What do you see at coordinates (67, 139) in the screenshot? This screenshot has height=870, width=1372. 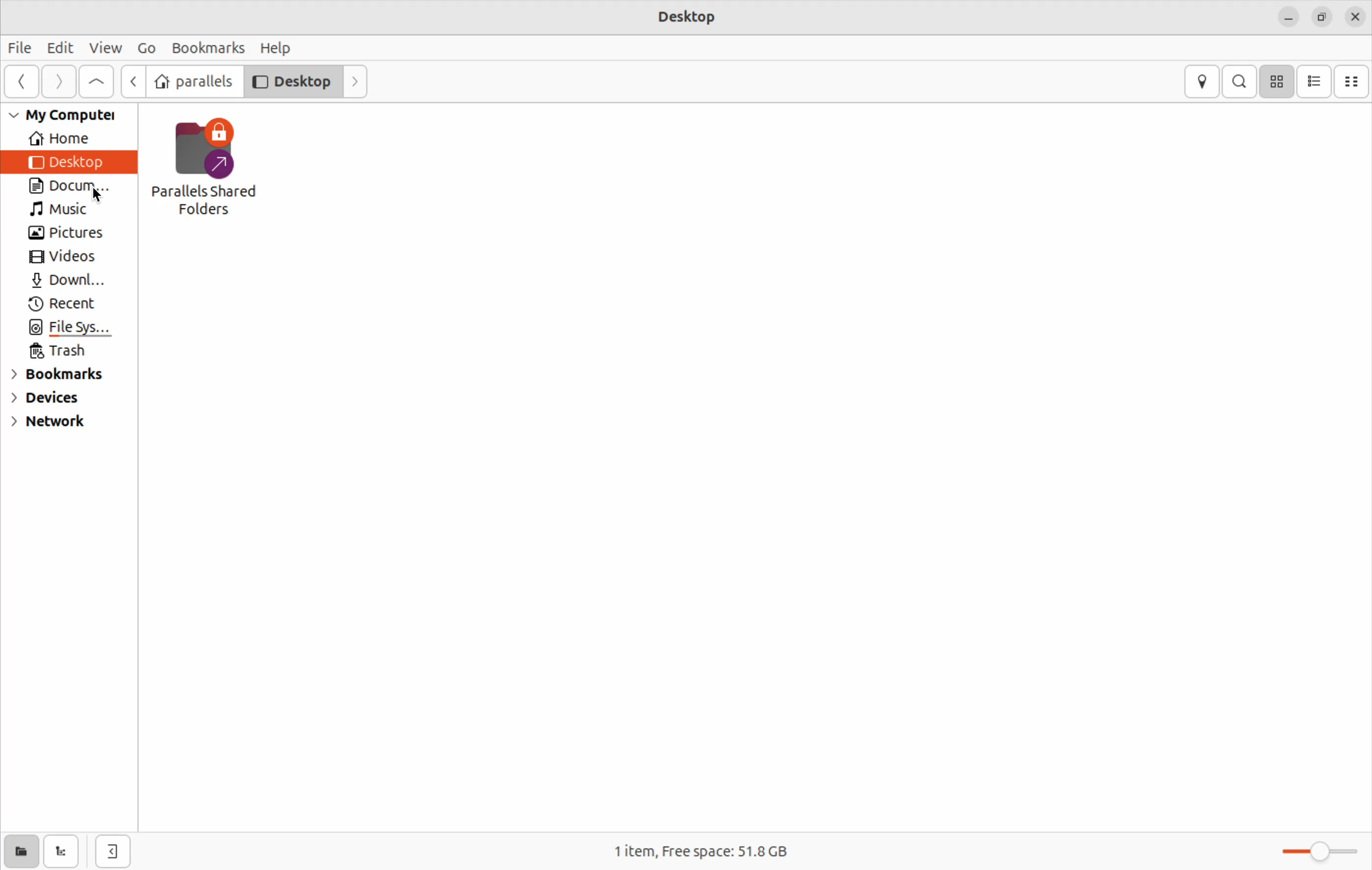 I see `Home` at bounding box center [67, 139].